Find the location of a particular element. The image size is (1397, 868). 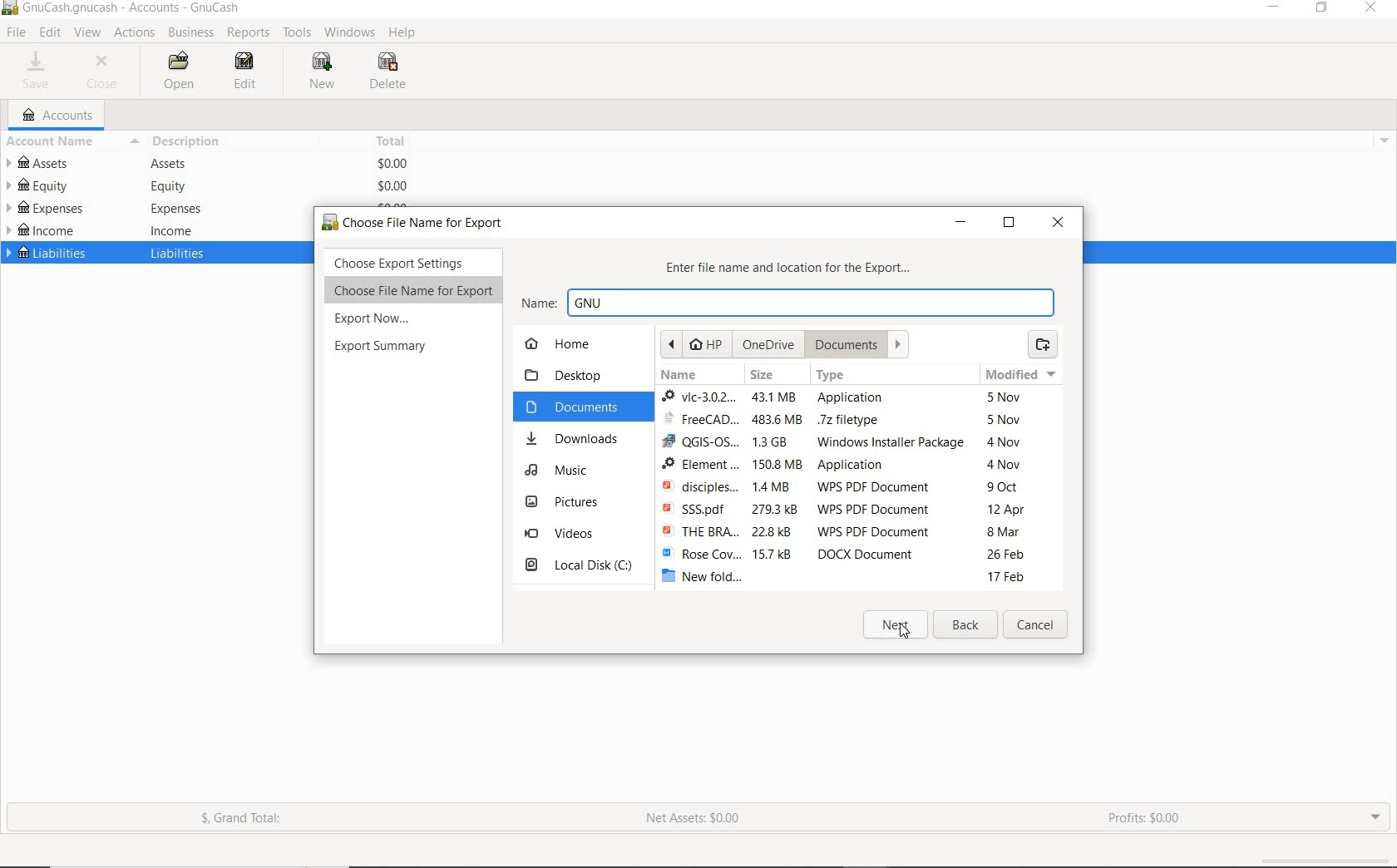

ACTIONS is located at coordinates (135, 36).